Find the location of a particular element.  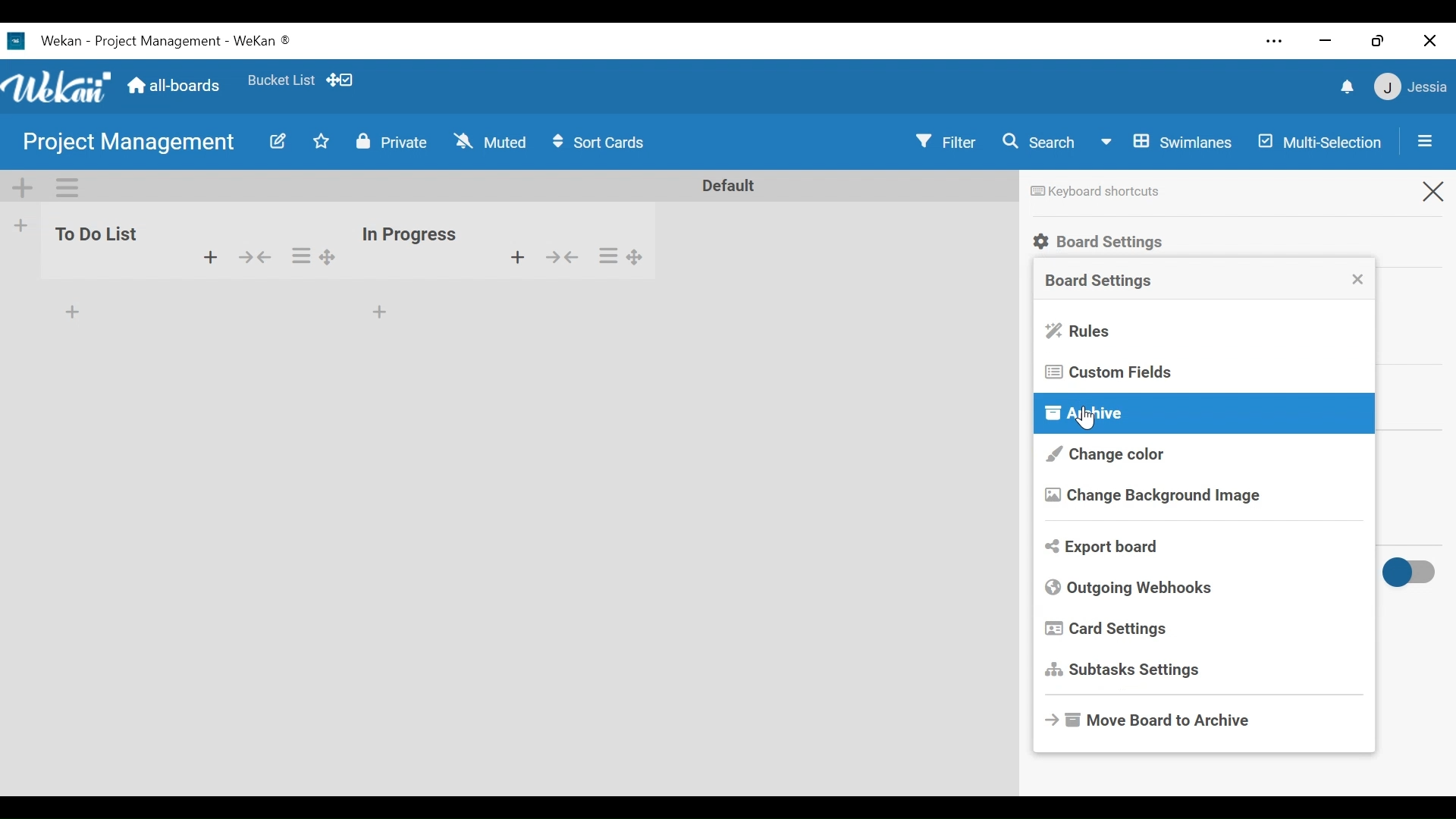

Settings and more is located at coordinates (1276, 40).